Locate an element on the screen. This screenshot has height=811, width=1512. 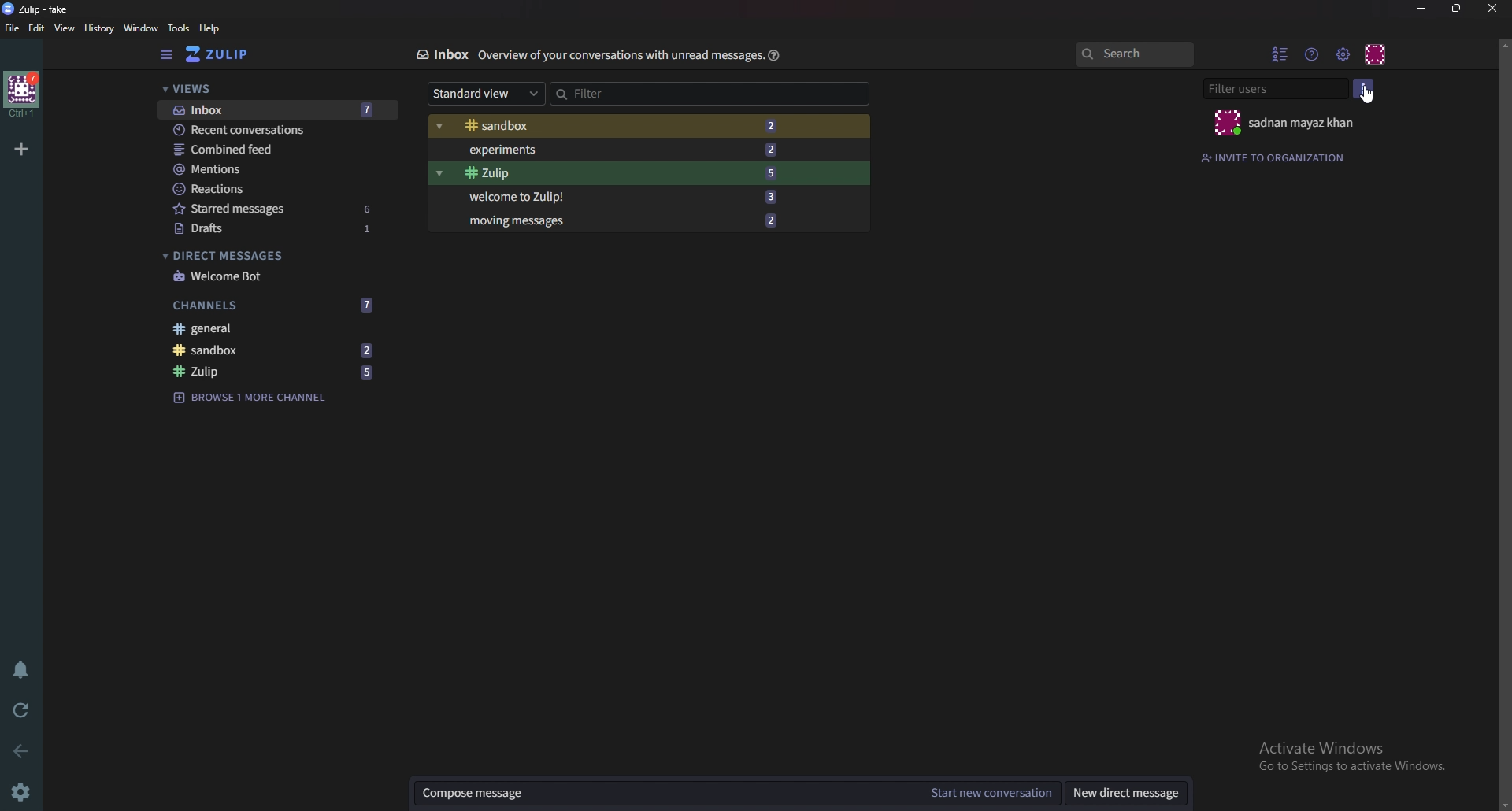
Compose message is located at coordinates (667, 793).